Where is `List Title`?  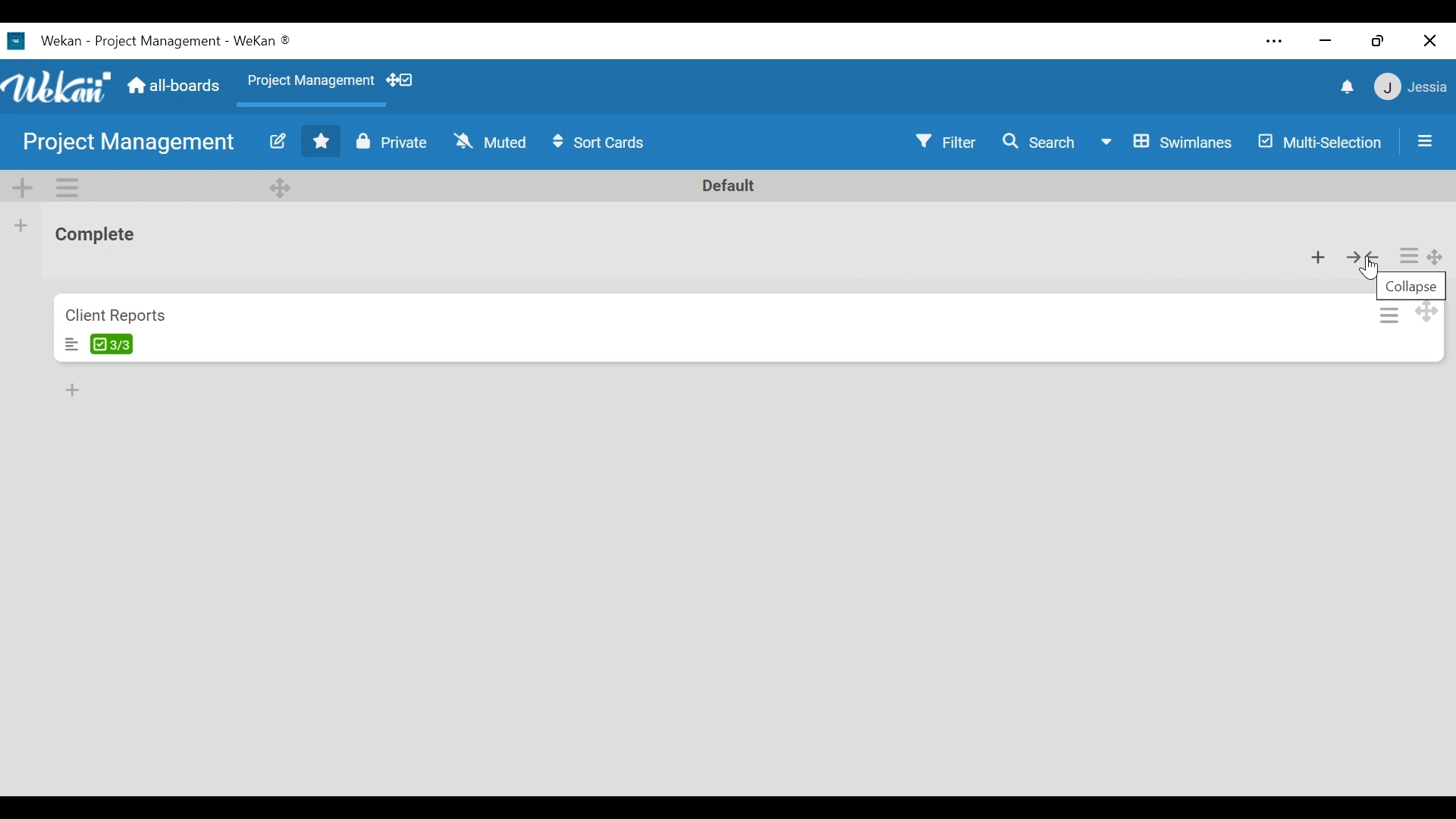 List Title is located at coordinates (96, 237).